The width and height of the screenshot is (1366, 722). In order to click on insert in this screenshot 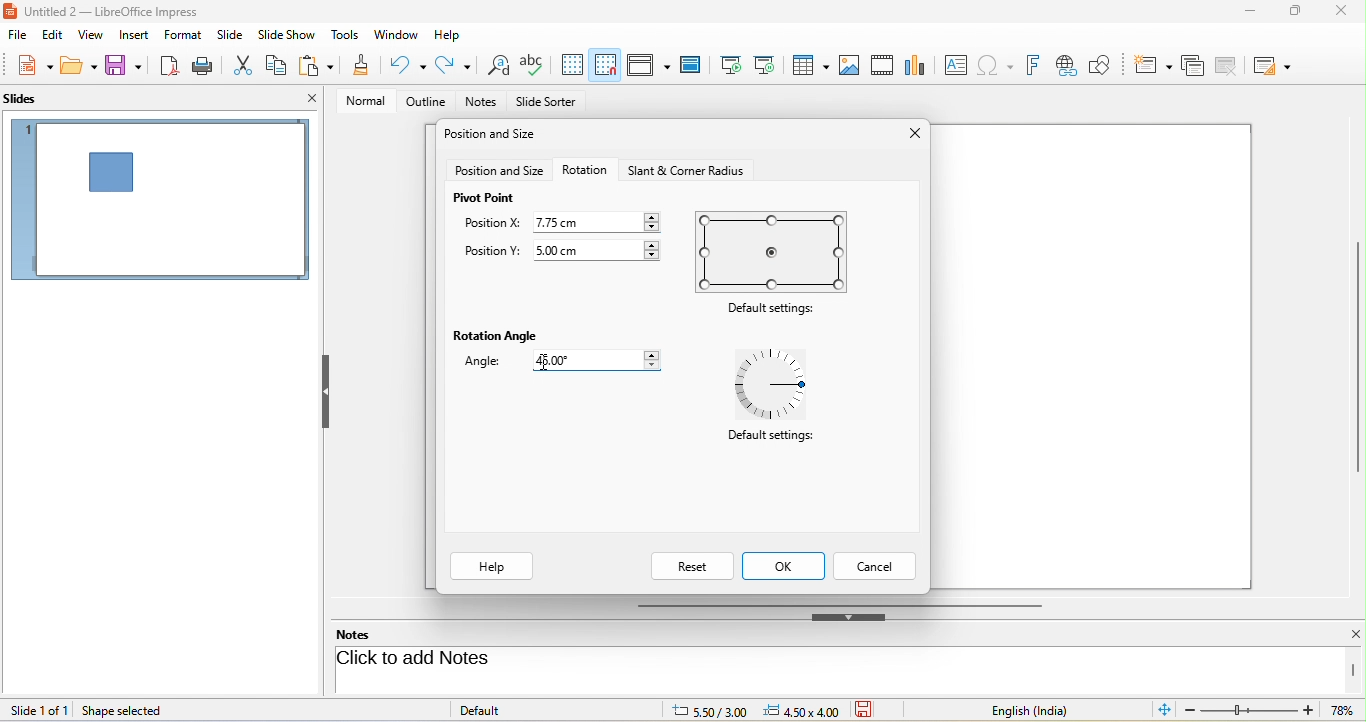, I will do `click(132, 35)`.